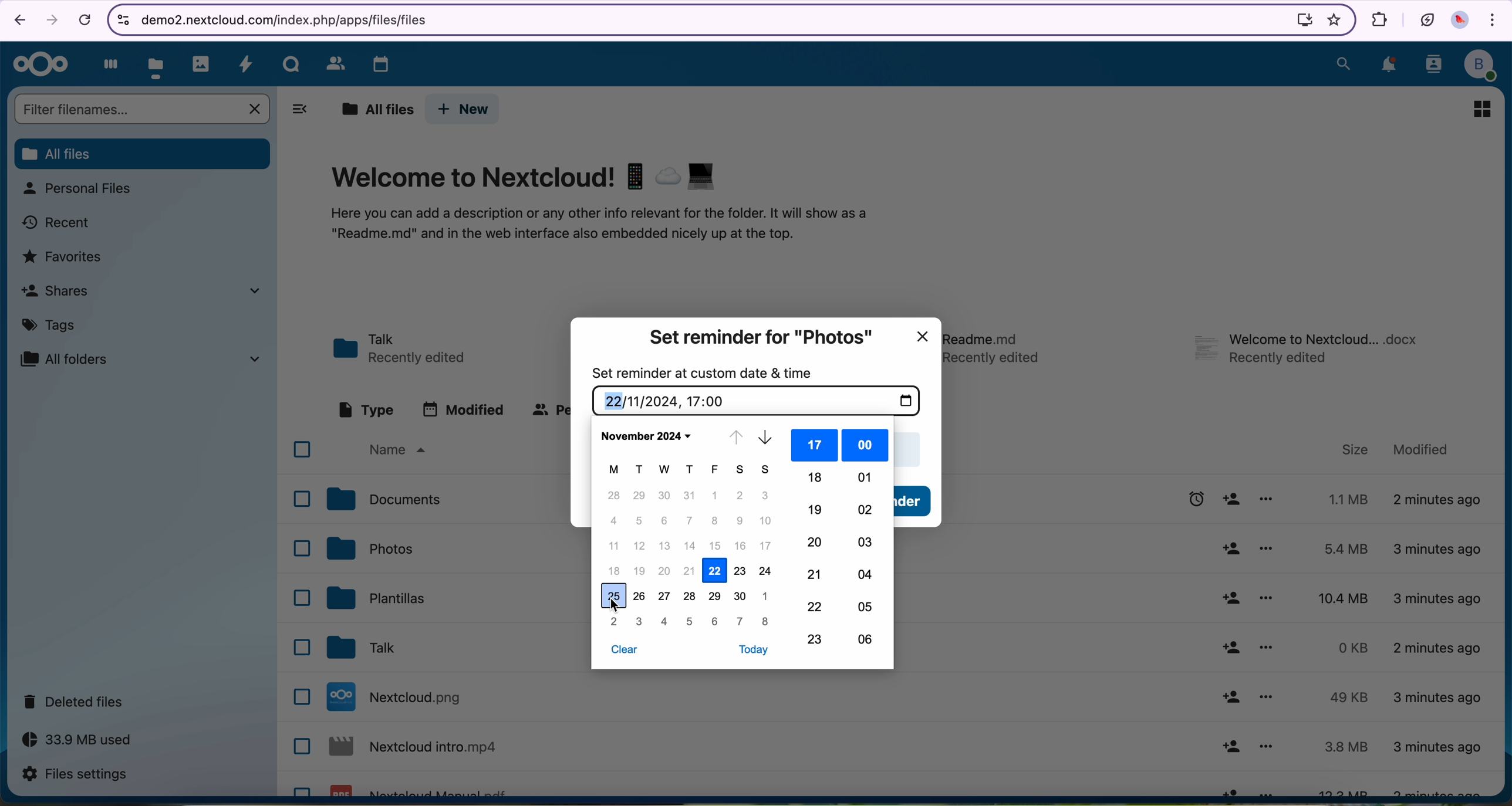  I want to click on 33.9 MB used, so click(77, 741).